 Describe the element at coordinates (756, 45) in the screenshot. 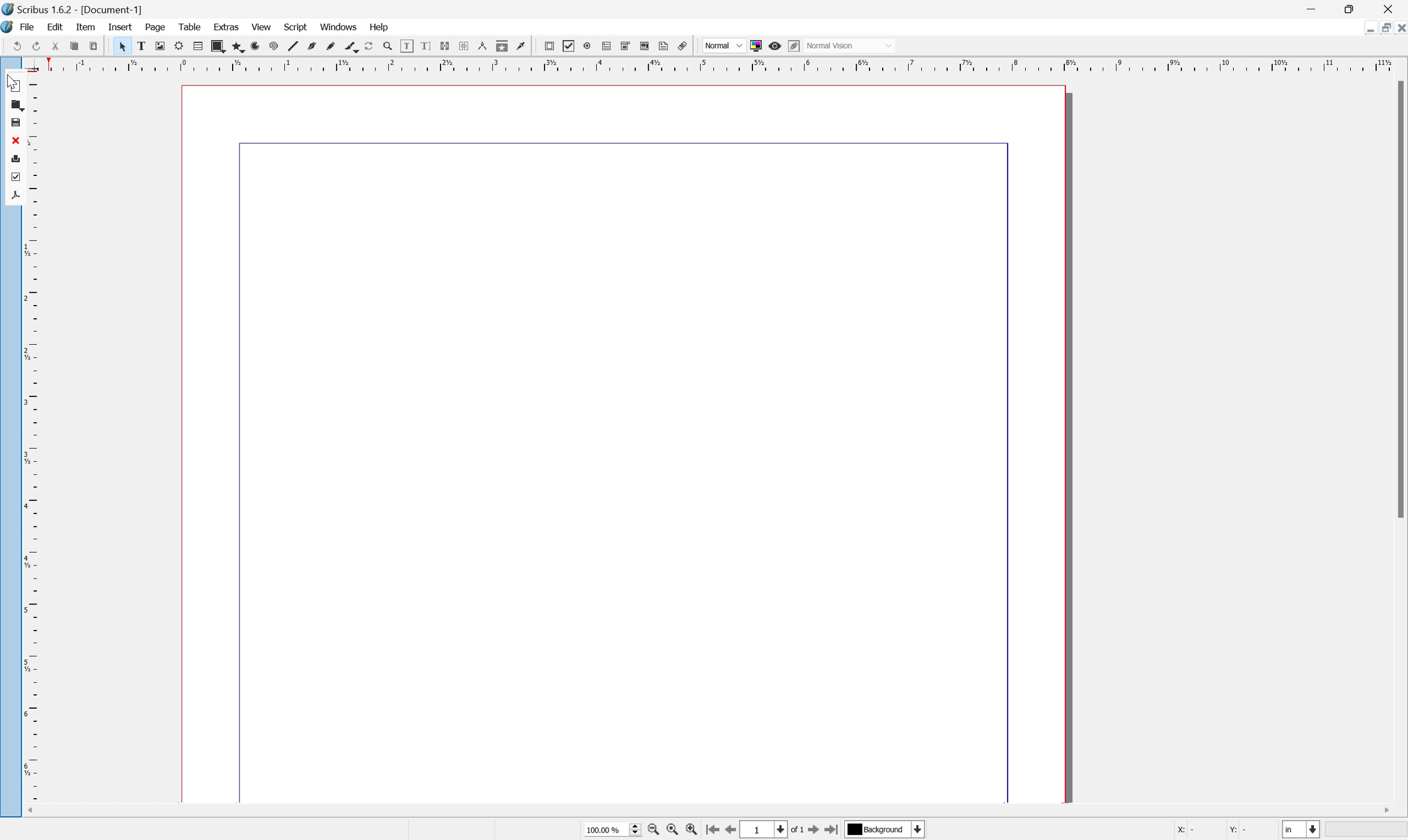

I see `toggle color in preview mode` at that location.